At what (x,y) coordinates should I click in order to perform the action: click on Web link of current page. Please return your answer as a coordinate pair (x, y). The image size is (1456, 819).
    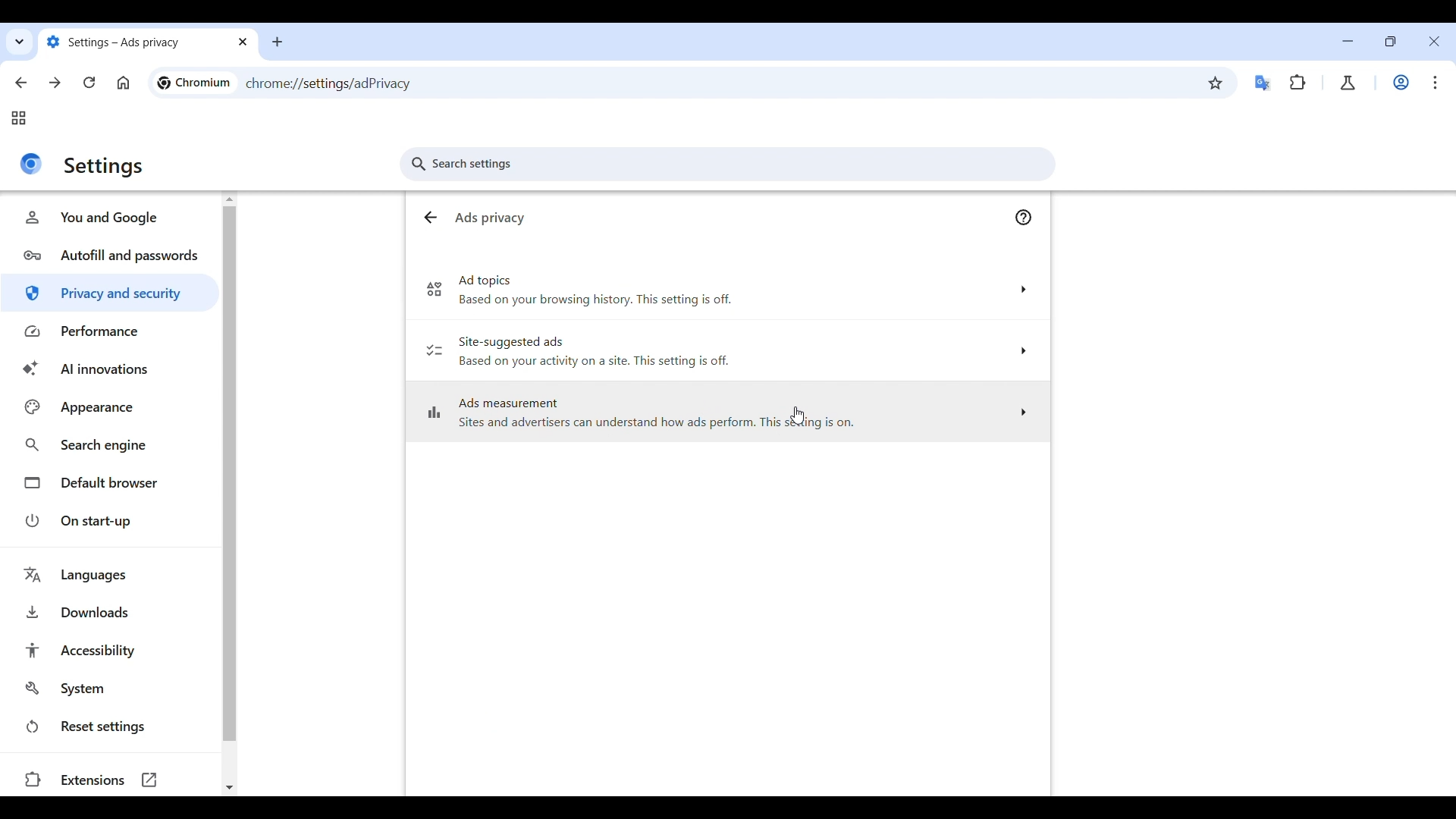
    Looking at the image, I should click on (345, 84).